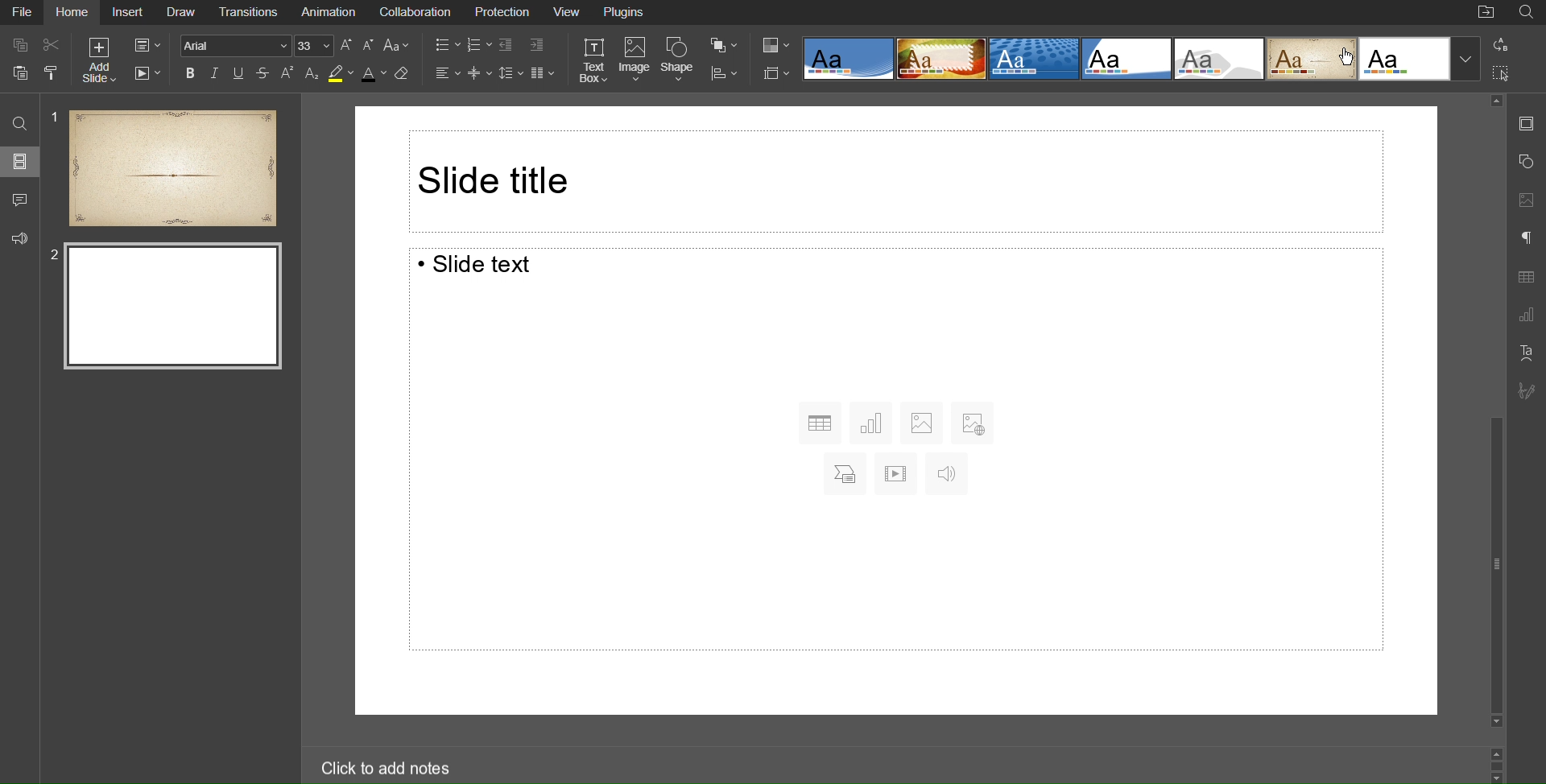 This screenshot has height=784, width=1546. What do you see at coordinates (371, 73) in the screenshot?
I see `Text Color` at bounding box center [371, 73].